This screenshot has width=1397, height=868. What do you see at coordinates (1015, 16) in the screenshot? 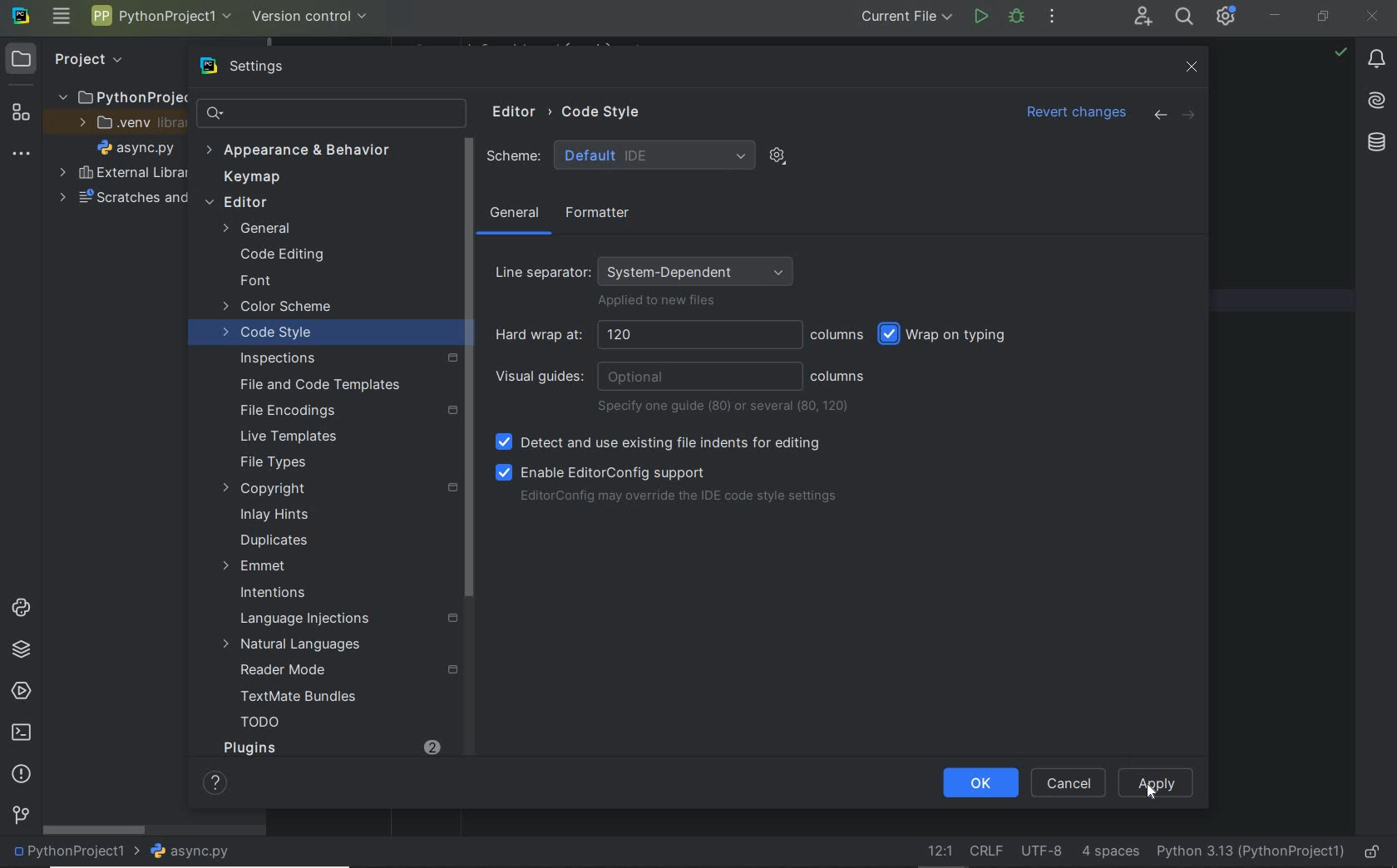
I see `bug` at bounding box center [1015, 16].